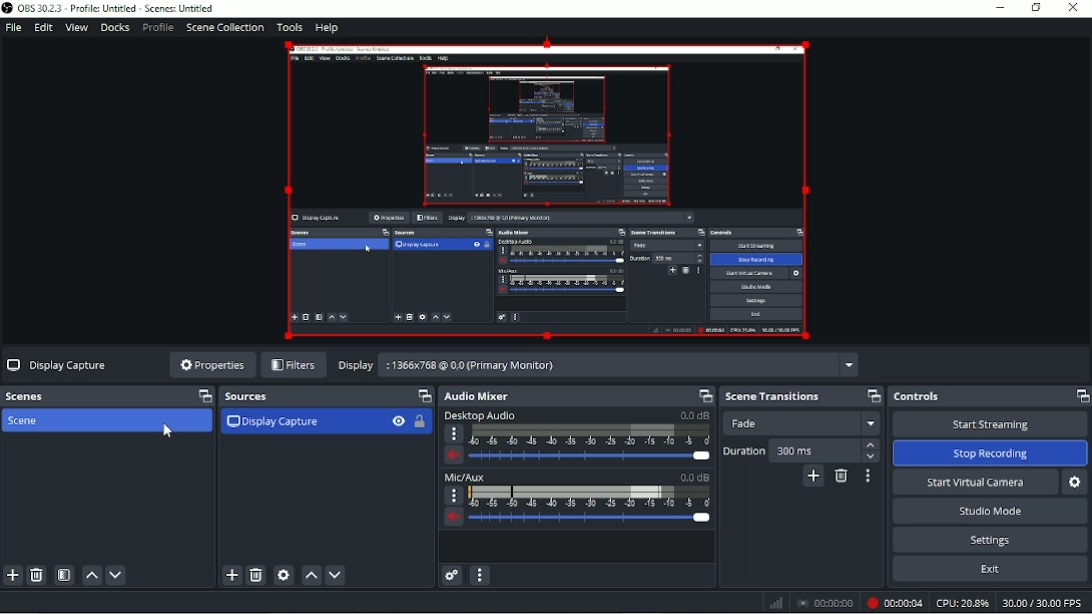 Image resolution: width=1092 pixels, height=614 pixels. What do you see at coordinates (962, 603) in the screenshot?
I see `CPU: 20.8%` at bounding box center [962, 603].